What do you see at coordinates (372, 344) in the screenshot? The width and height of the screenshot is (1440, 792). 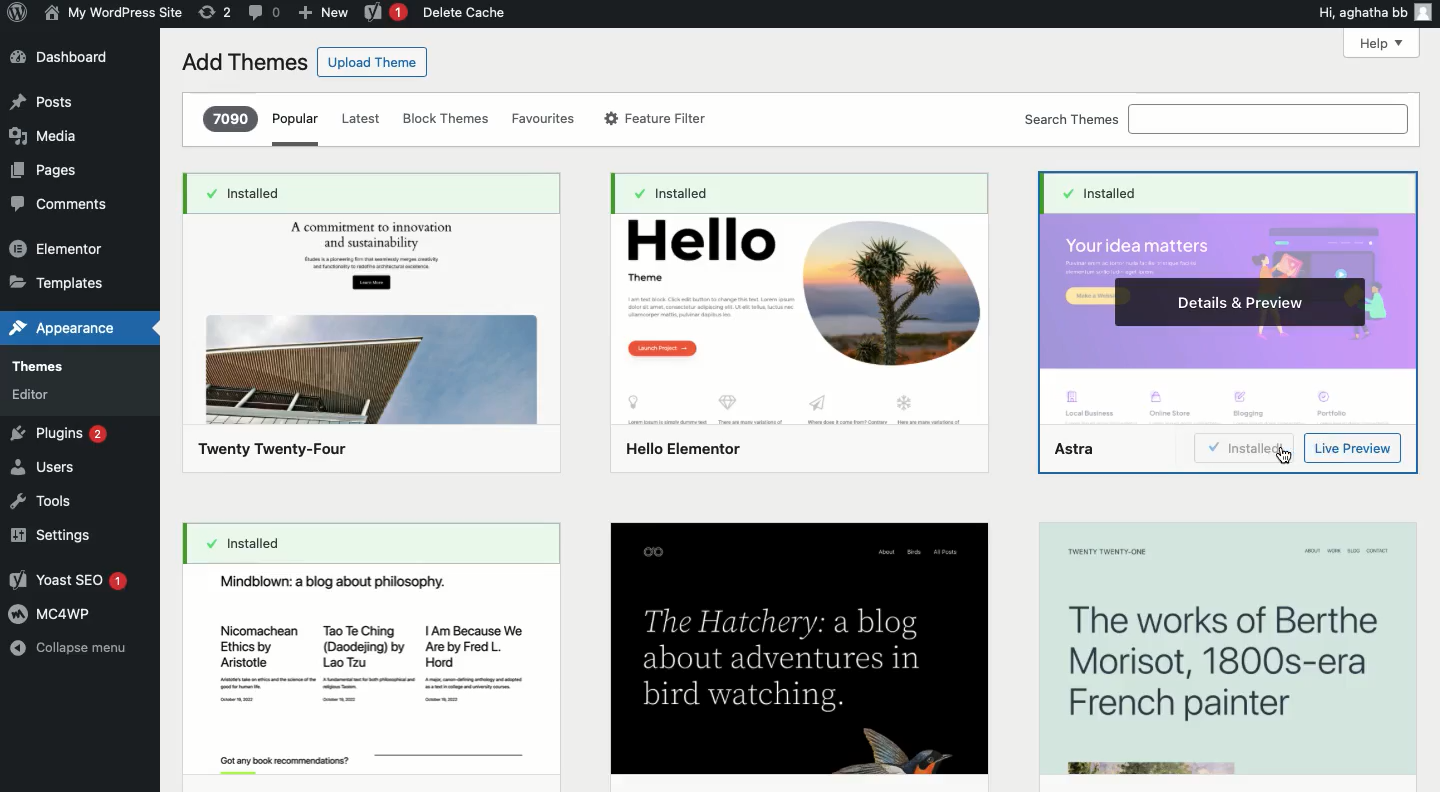 I see `Twenty Twenty-Four Theme` at bounding box center [372, 344].